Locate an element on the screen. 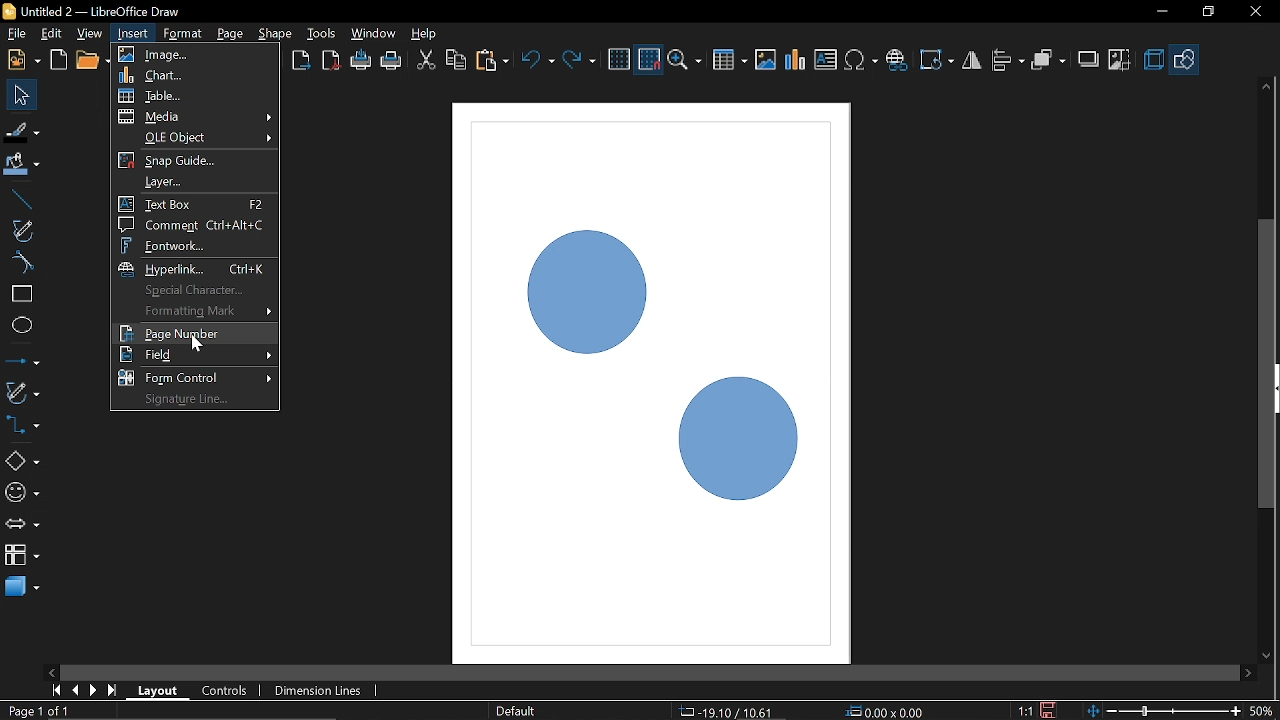  fontwork is located at coordinates (194, 244).